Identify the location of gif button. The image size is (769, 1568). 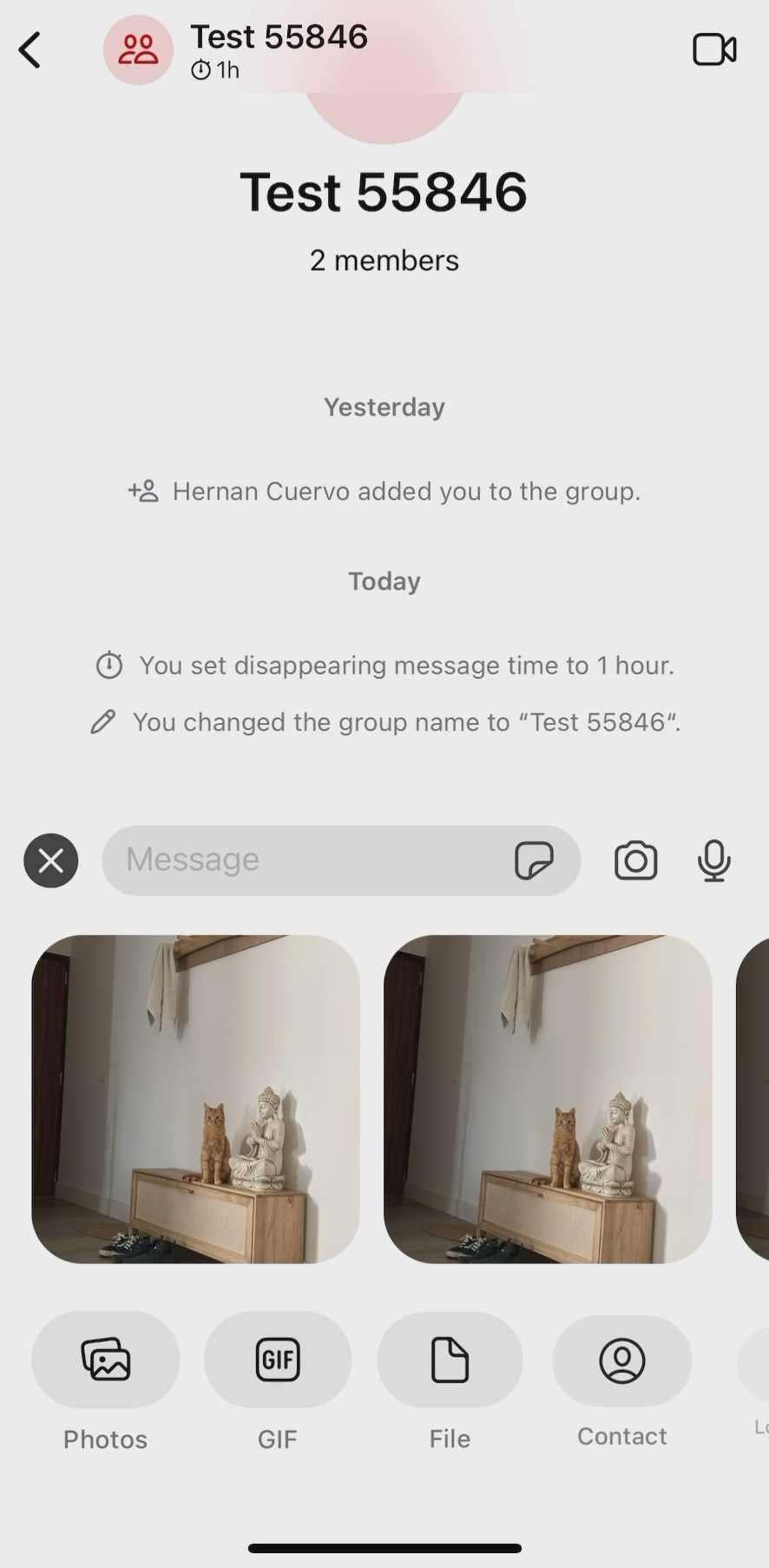
(284, 1391).